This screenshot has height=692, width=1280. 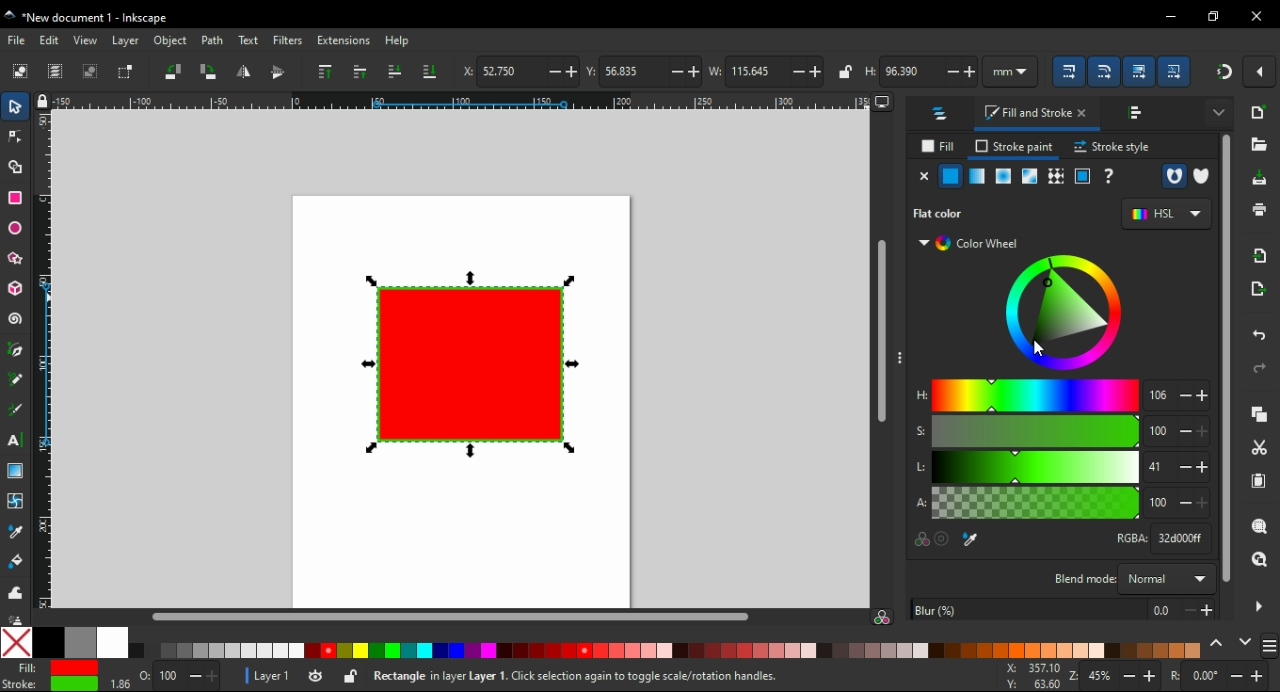 I want to click on shape building tool, so click(x=15, y=166).